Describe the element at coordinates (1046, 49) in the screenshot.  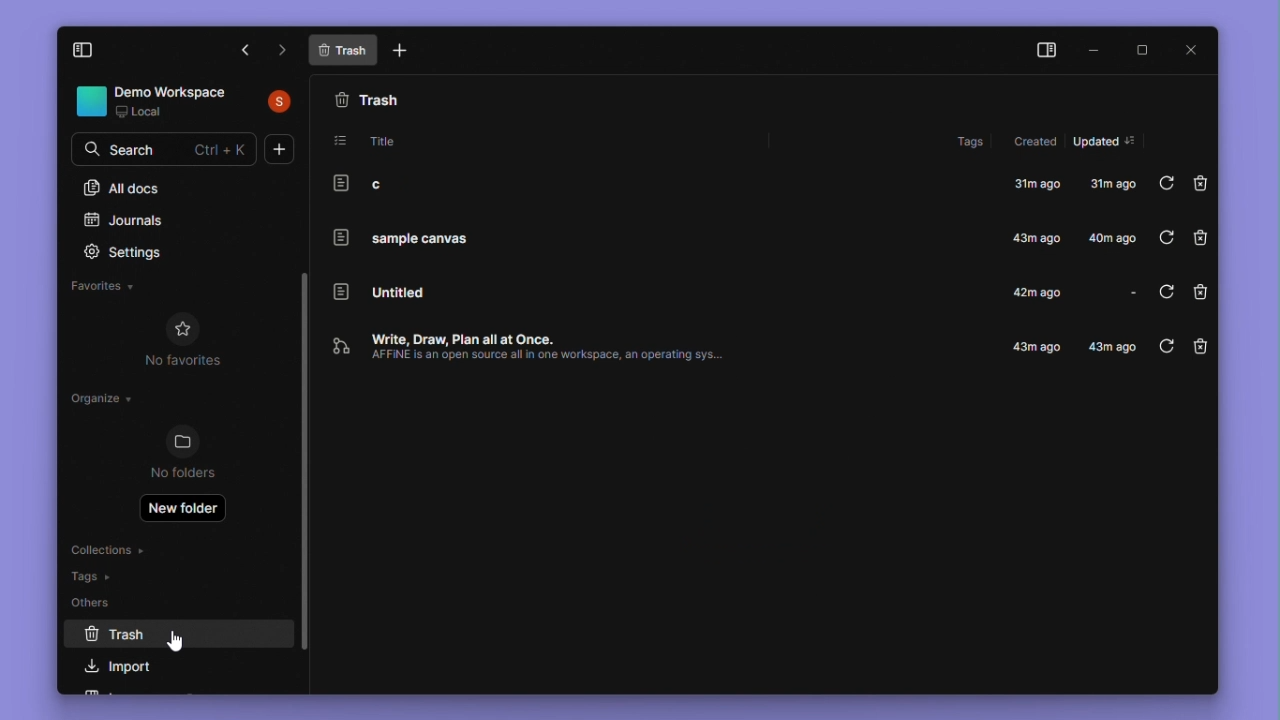
I see `Collapse side bar` at that location.